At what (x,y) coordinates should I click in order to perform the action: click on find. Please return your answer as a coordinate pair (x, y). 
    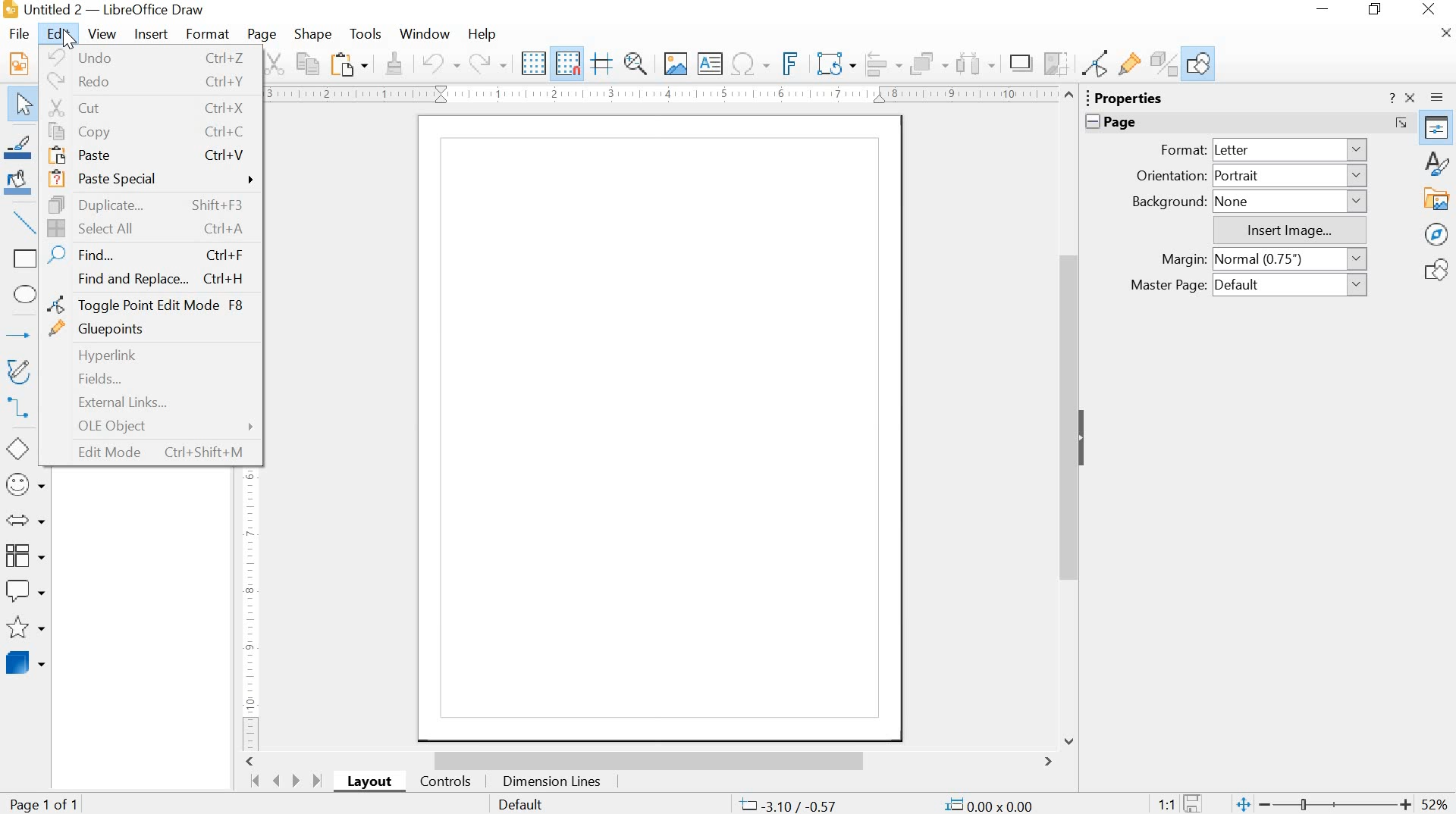
    Looking at the image, I should click on (146, 253).